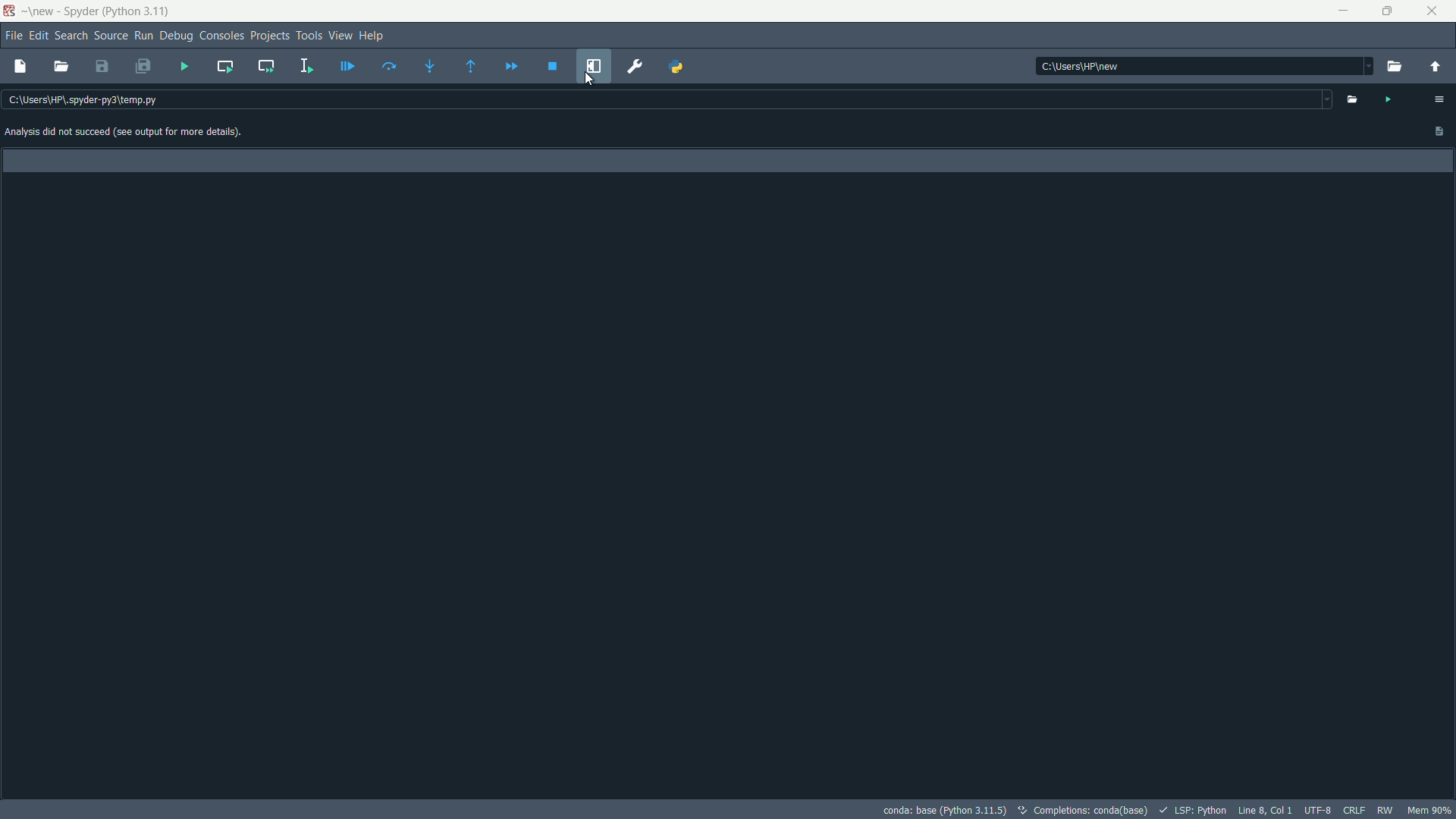  What do you see at coordinates (138, 12) in the screenshot?
I see `python 3.11` at bounding box center [138, 12].